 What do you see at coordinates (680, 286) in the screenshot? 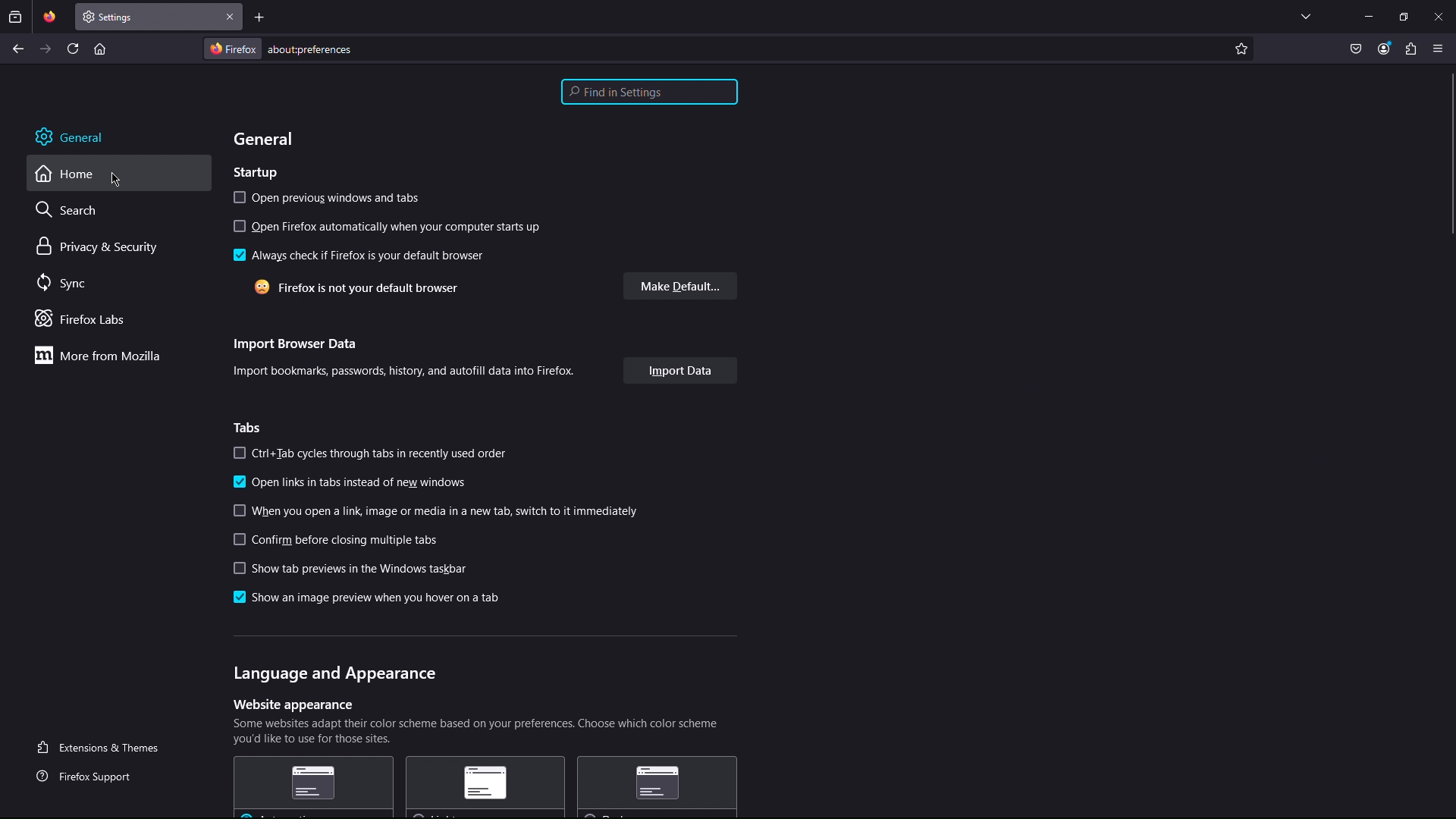
I see `Make Default` at bounding box center [680, 286].